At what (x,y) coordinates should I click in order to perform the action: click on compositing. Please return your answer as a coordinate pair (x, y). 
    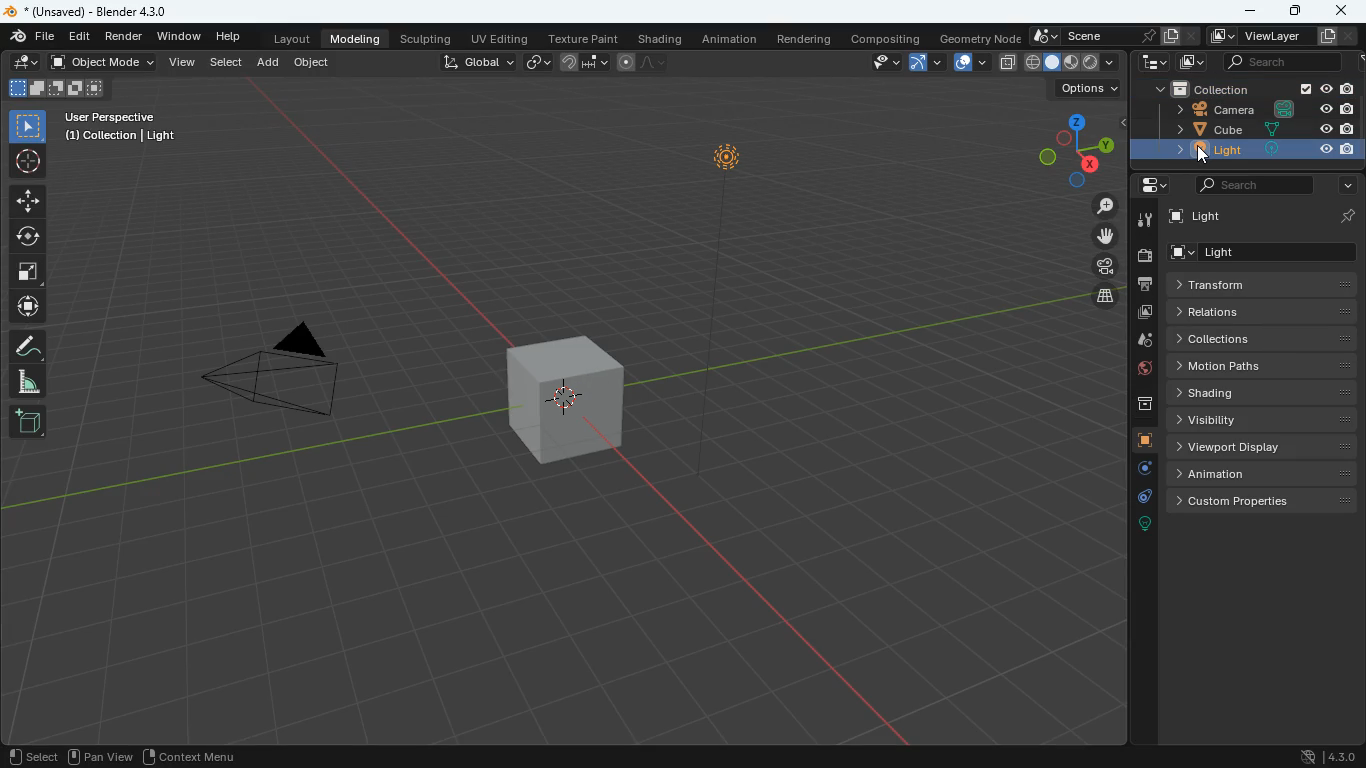
    Looking at the image, I should click on (884, 37).